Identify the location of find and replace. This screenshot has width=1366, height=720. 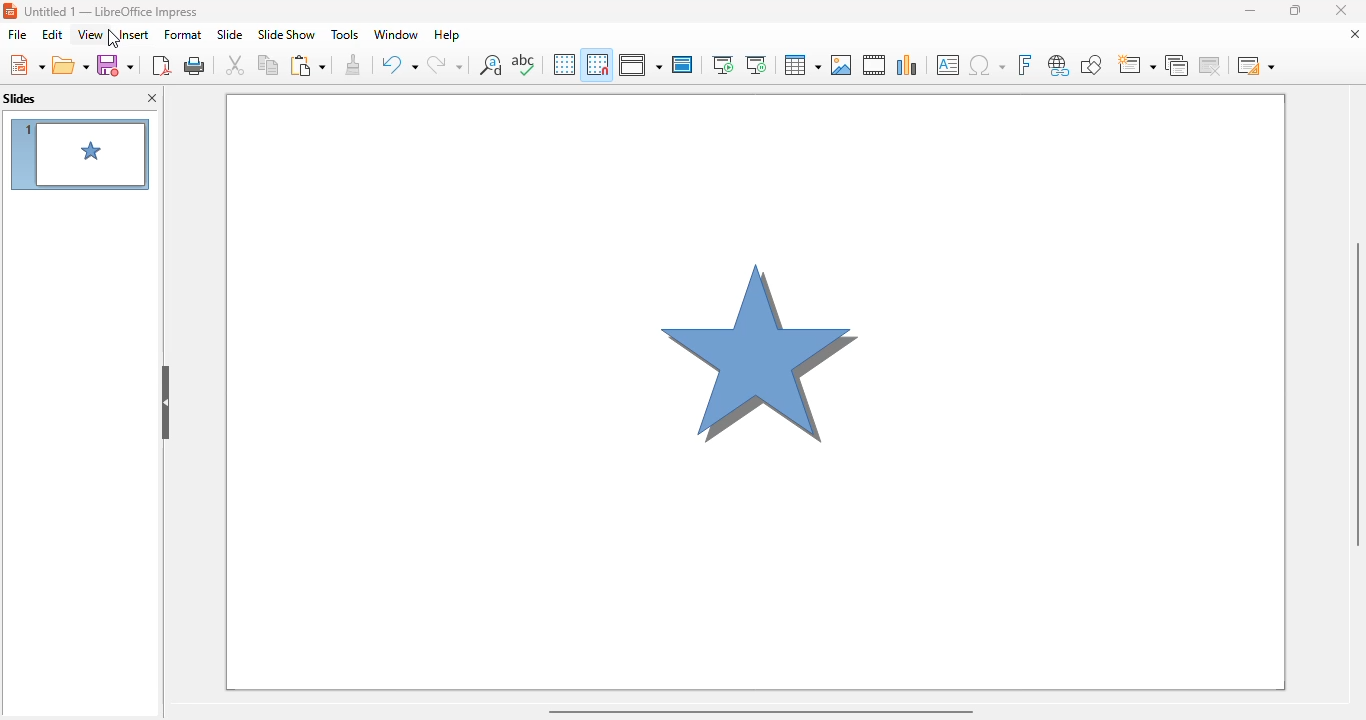
(491, 64).